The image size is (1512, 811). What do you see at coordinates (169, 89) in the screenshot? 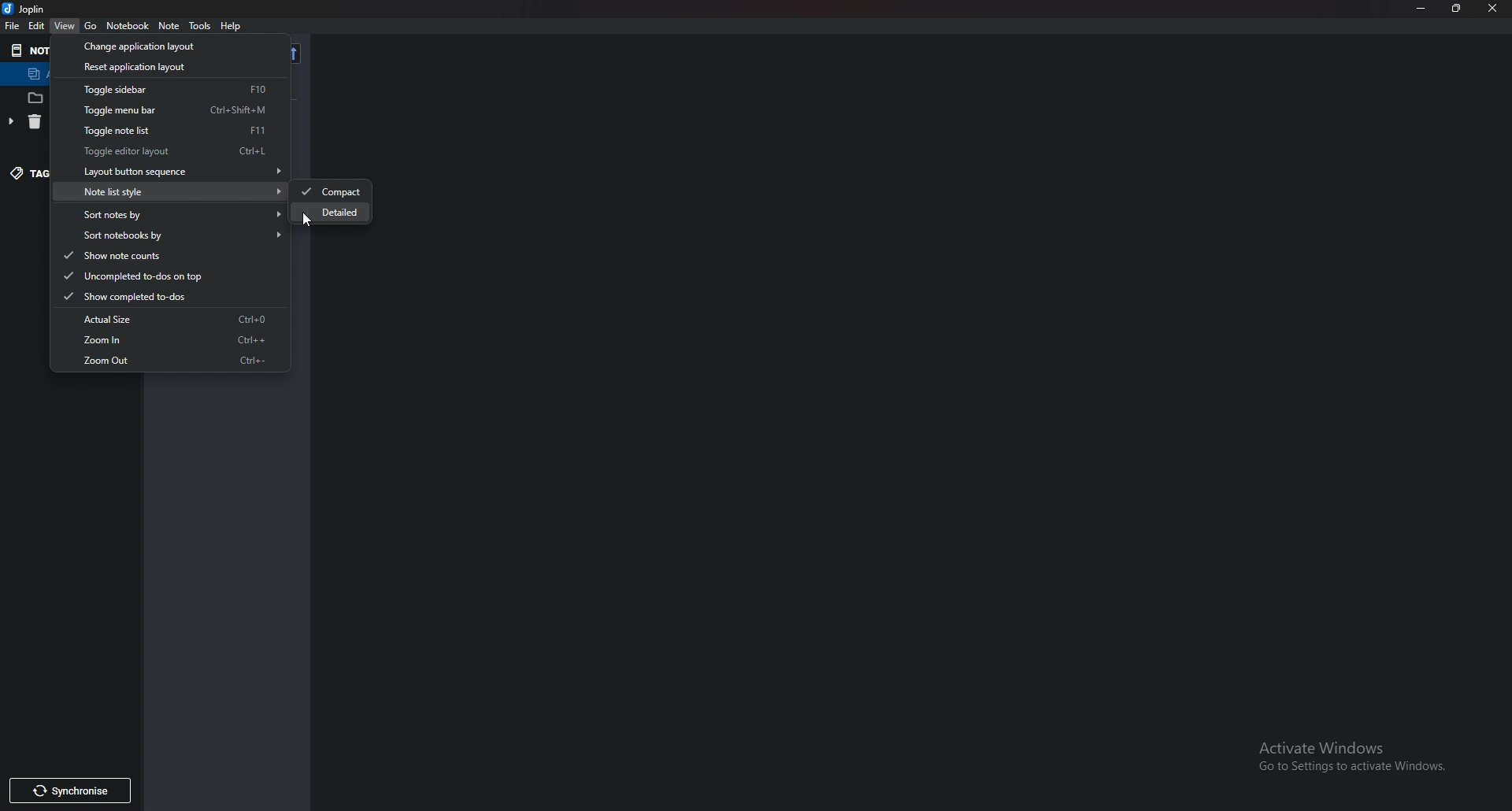
I see `Toggle sidebar` at bounding box center [169, 89].